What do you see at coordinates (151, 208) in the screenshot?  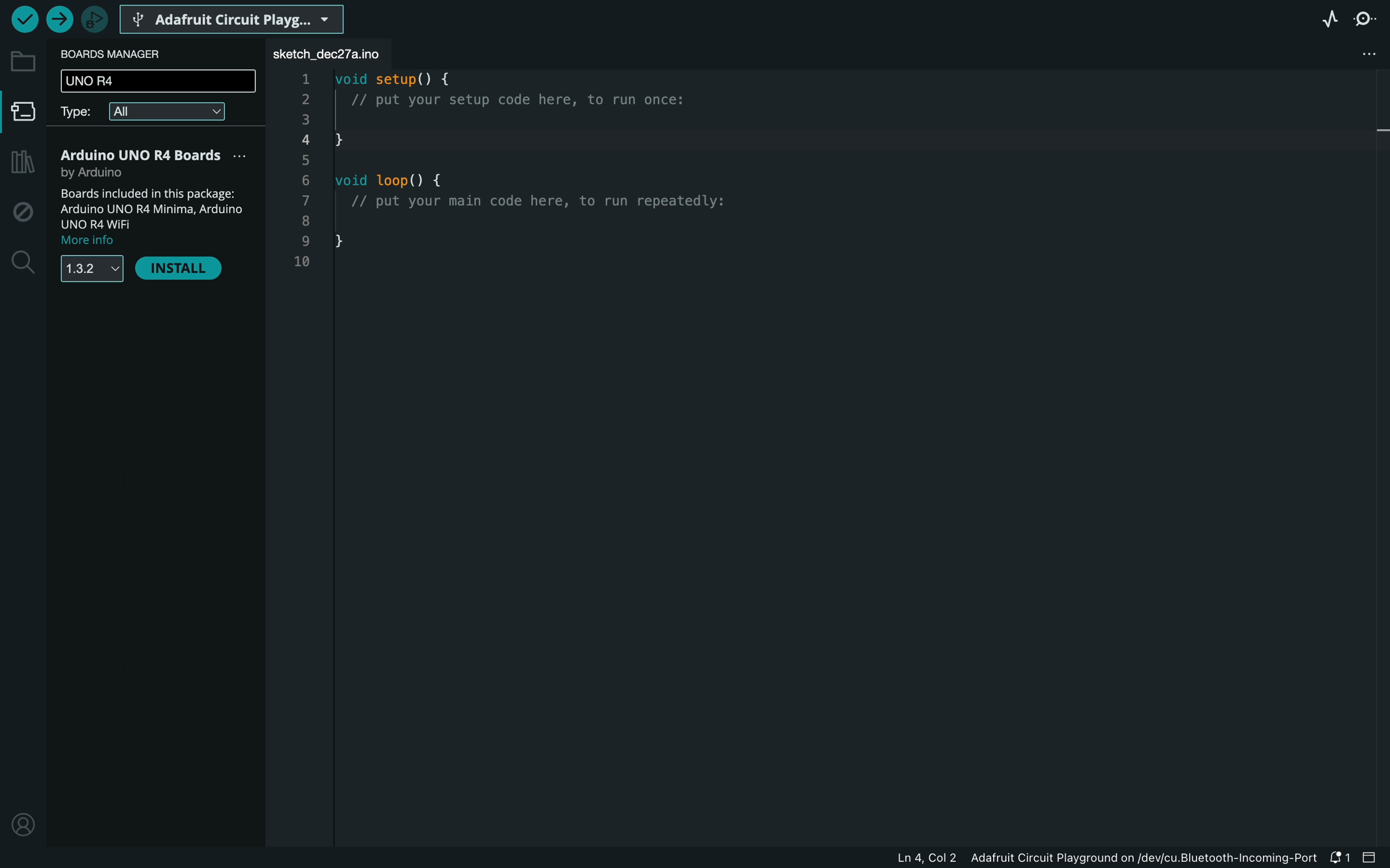 I see `description` at bounding box center [151, 208].